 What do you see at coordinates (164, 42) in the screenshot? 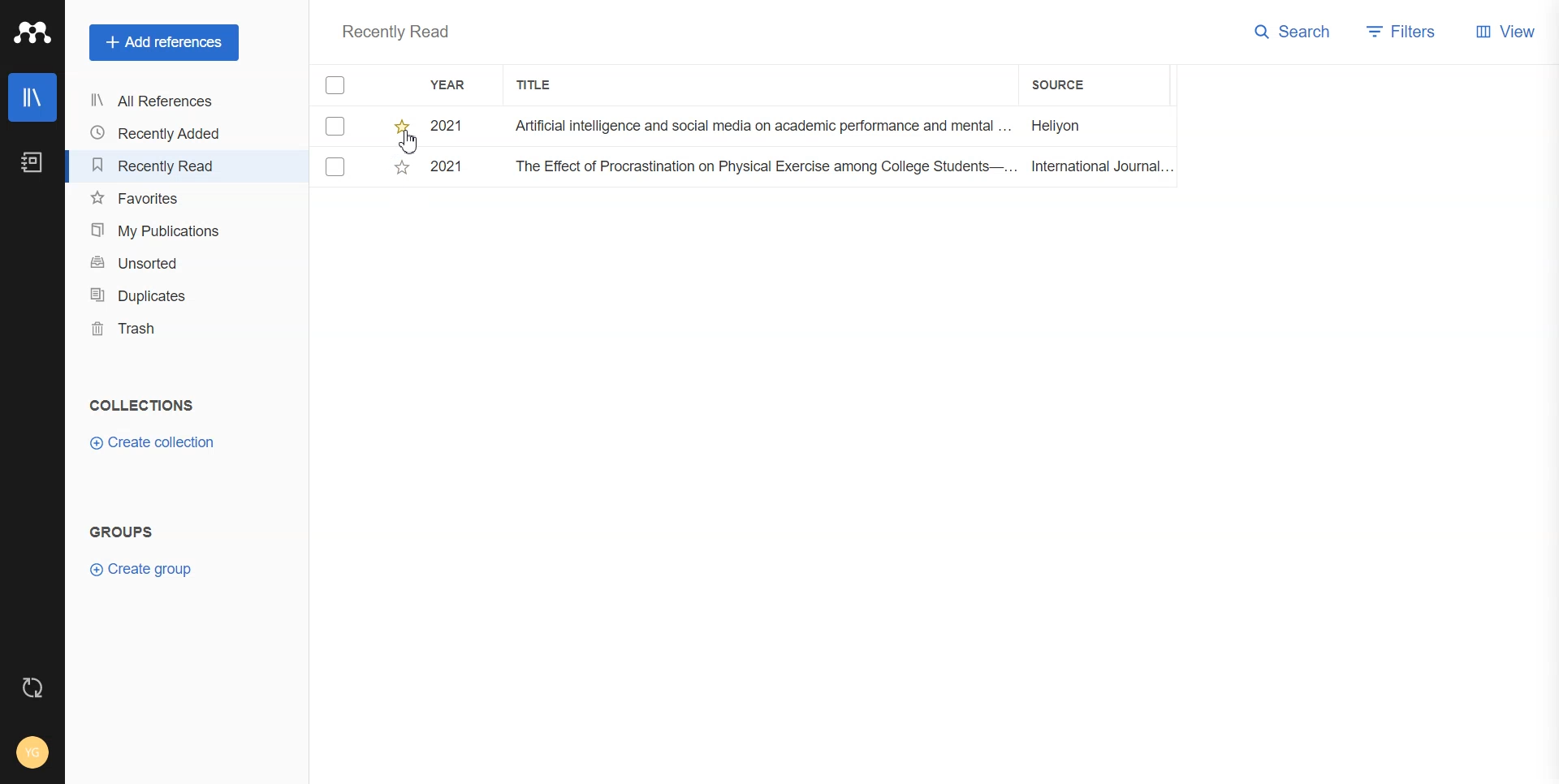
I see `Add references` at bounding box center [164, 42].